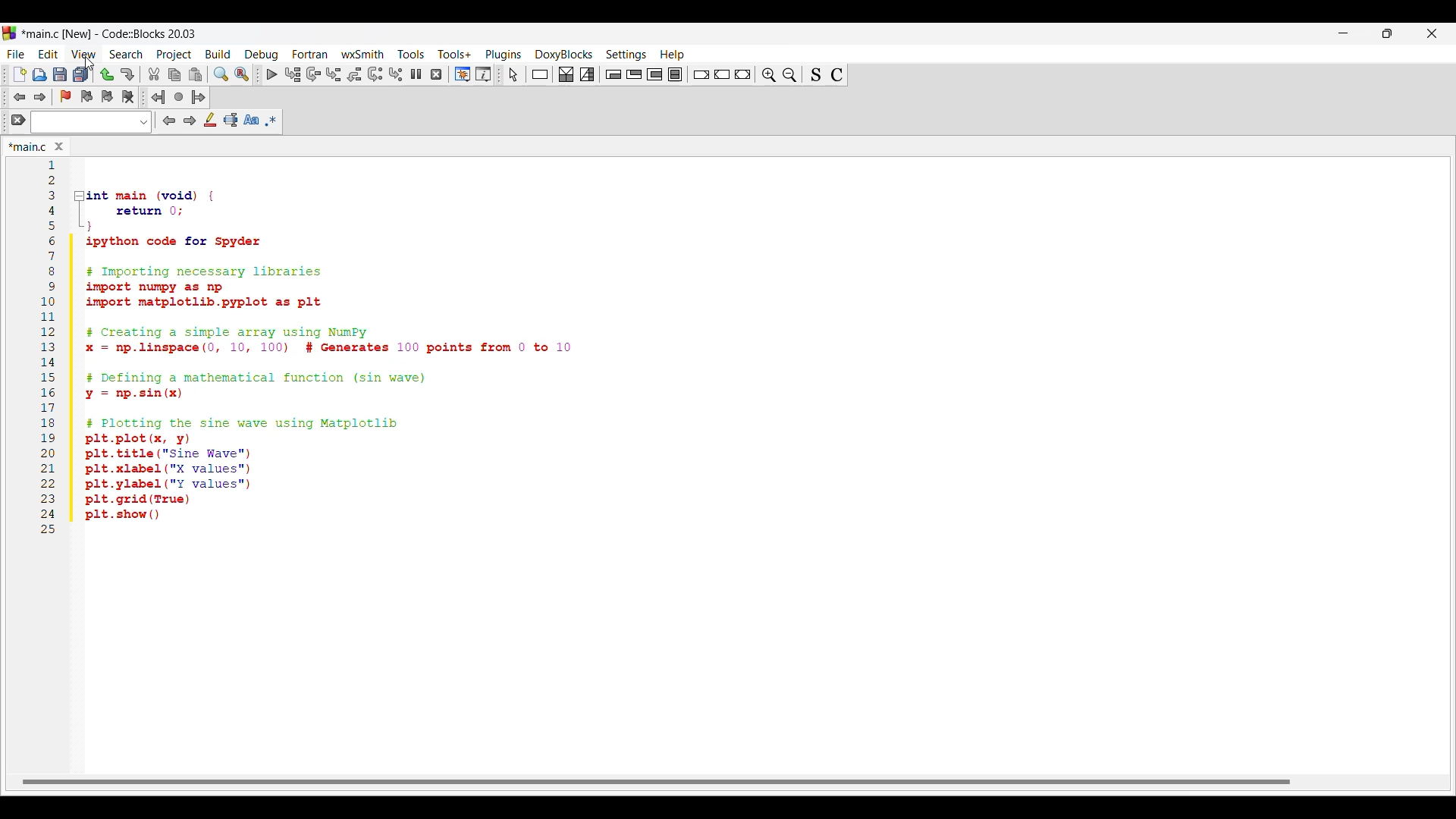 This screenshot has width=1456, height=819. I want to click on Horizontal slide bar, so click(656, 783).